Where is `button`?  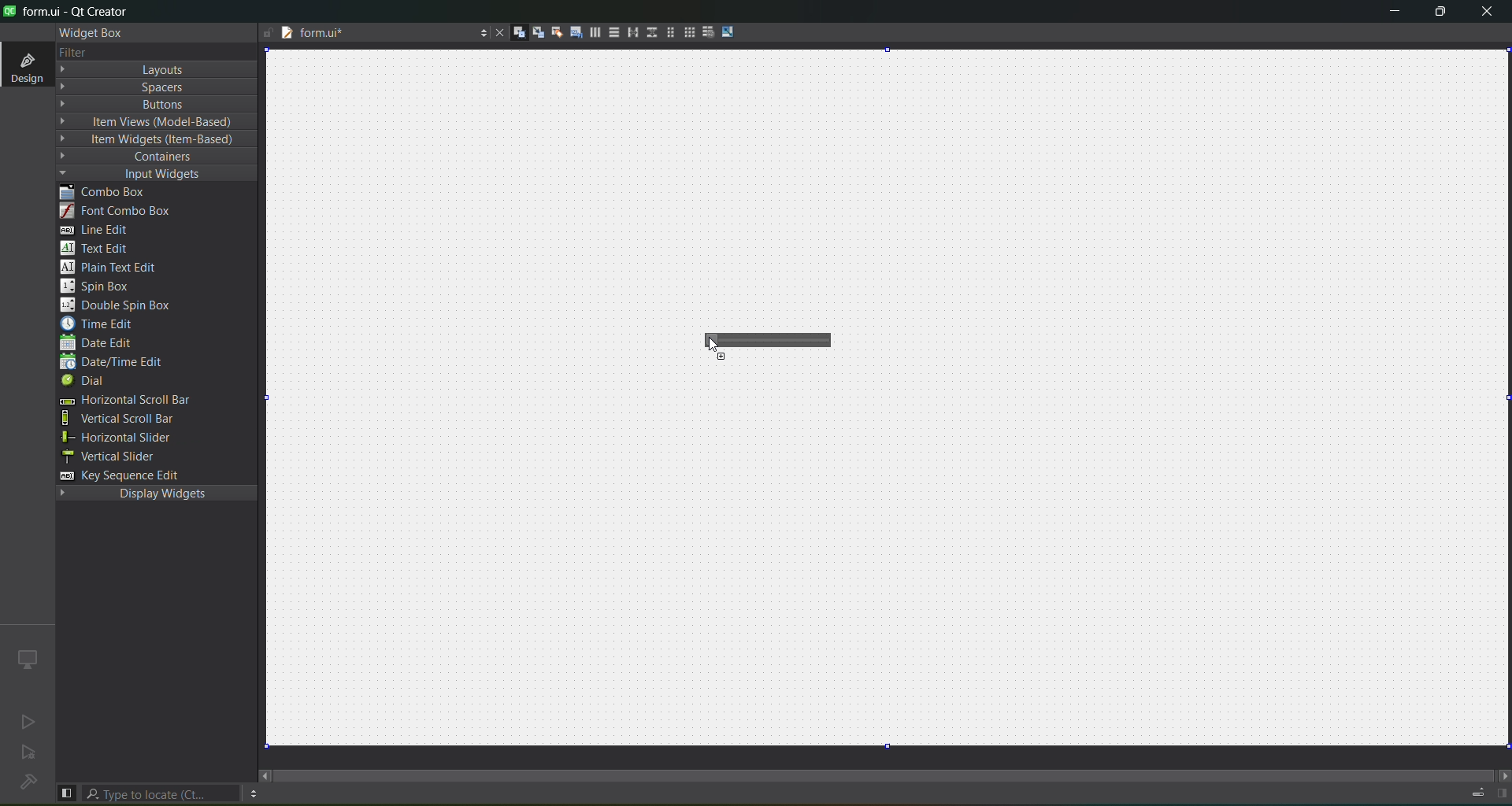 button is located at coordinates (139, 105).